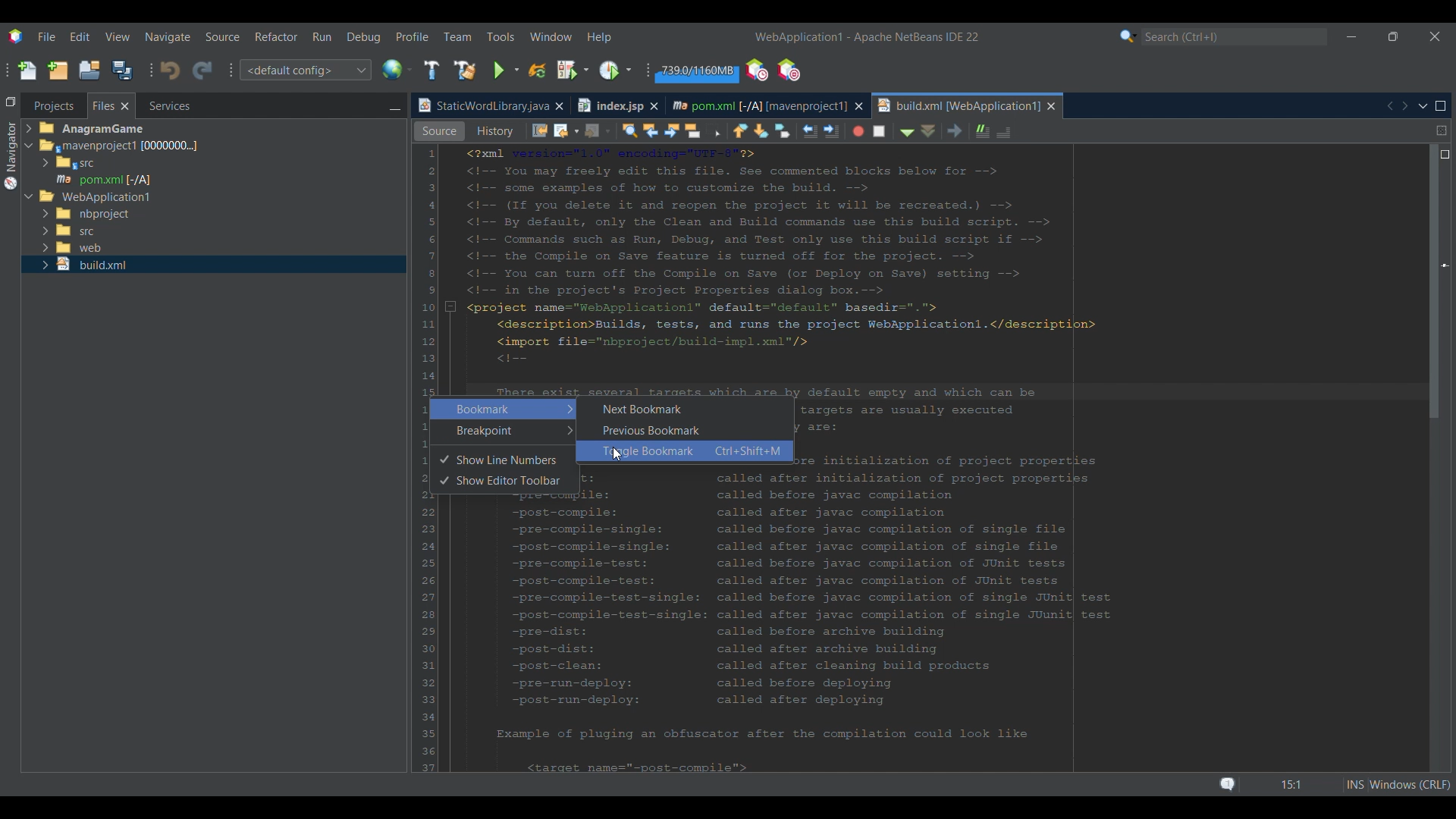 The image size is (1456, 819). Describe the element at coordinates (503, 131) in the screenshot. I see `Graph view` at that location.